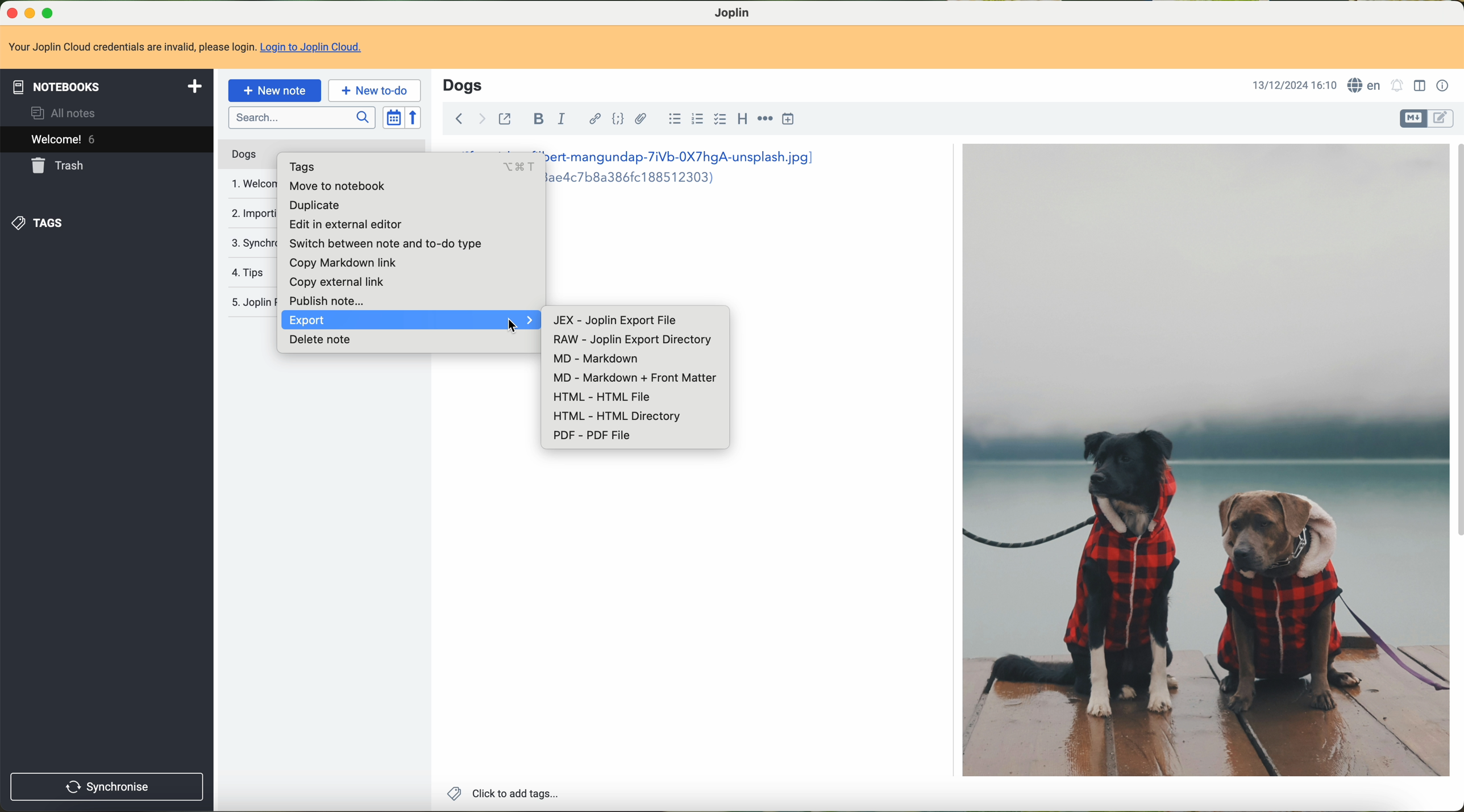  What do you see at coordinates (635, 339) in the screenshot?
I see `RAW - Joplin Export Directory` at bounding box center [635, 339].